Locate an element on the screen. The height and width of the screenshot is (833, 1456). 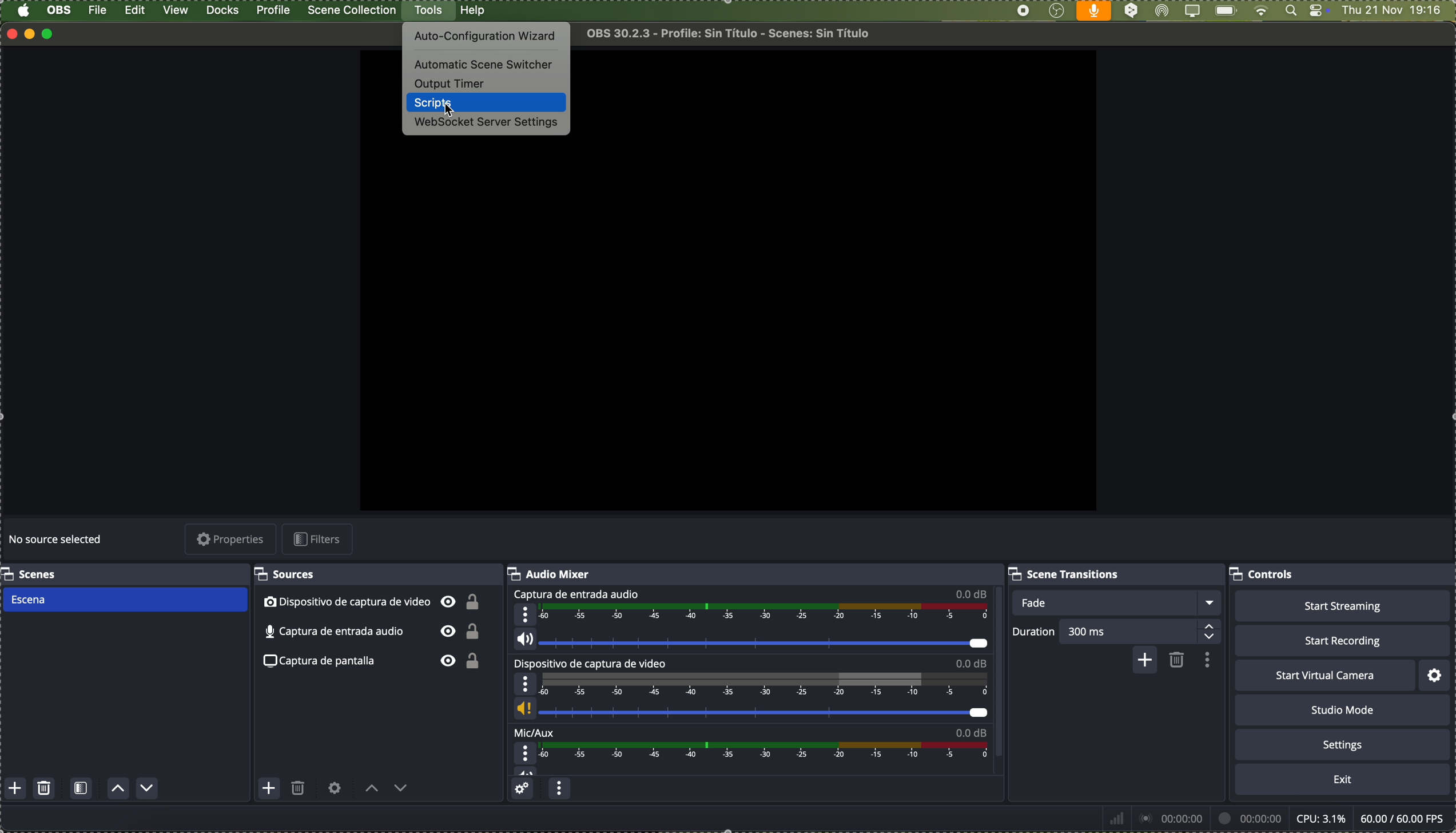
websocket server settings is located at coordinates (485, 122).